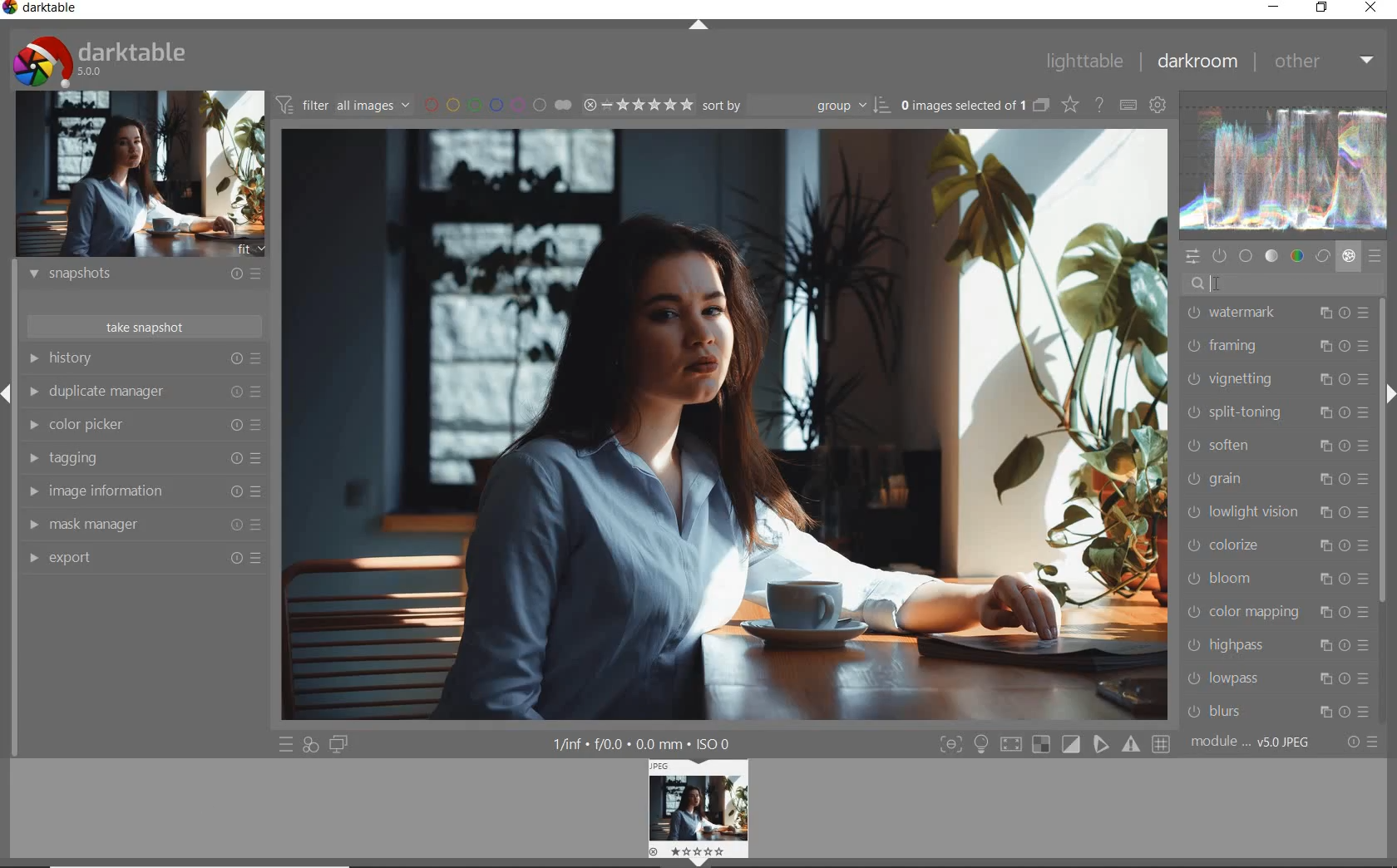 The image size is (1397, 868). Describe the element at coordinates (1246, 256) in the screenshot. I see `base` at that location.